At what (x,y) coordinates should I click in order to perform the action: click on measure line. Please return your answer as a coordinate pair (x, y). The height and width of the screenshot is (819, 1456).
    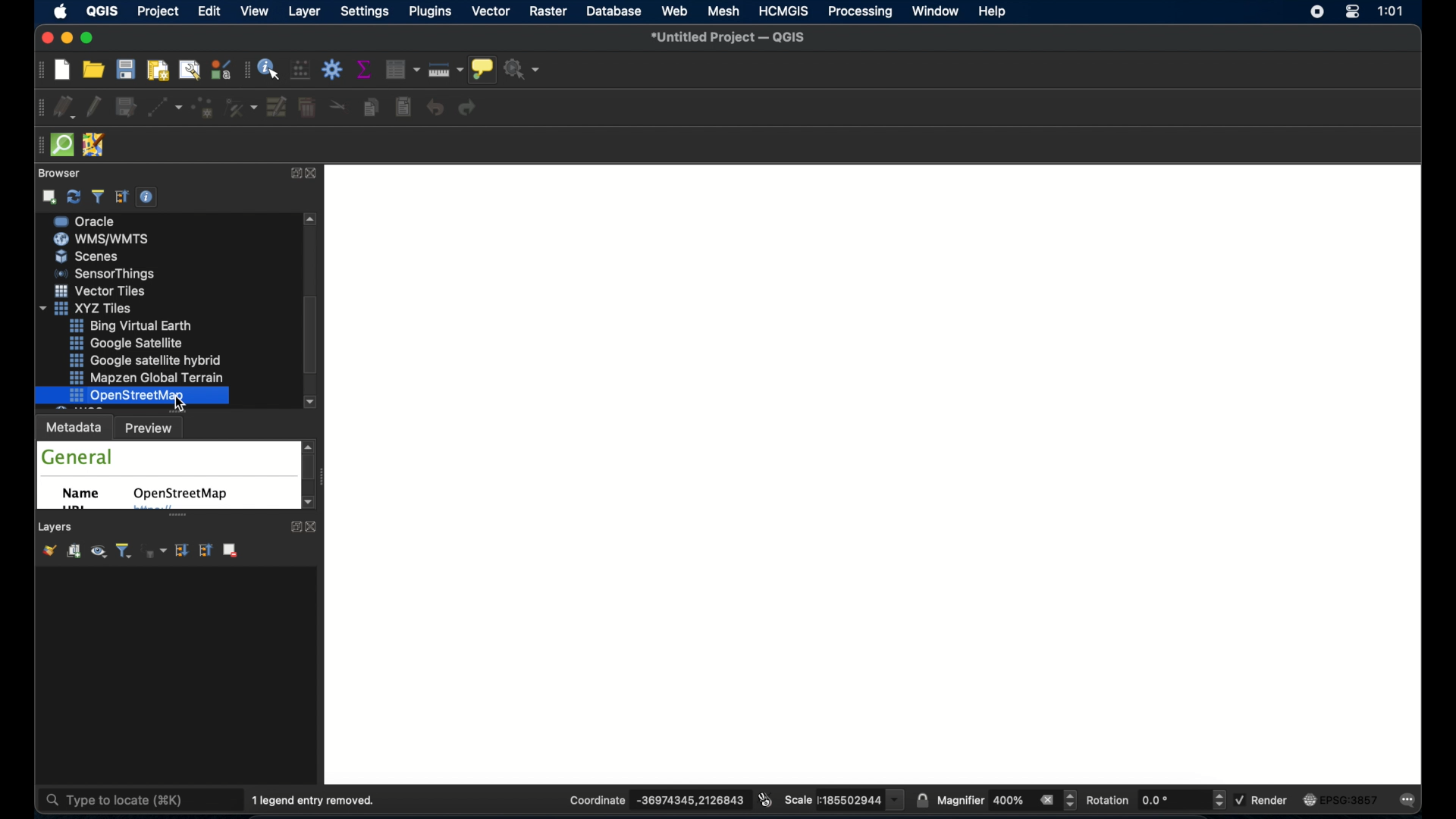
    Looking at the image, I should click on (446, 70).